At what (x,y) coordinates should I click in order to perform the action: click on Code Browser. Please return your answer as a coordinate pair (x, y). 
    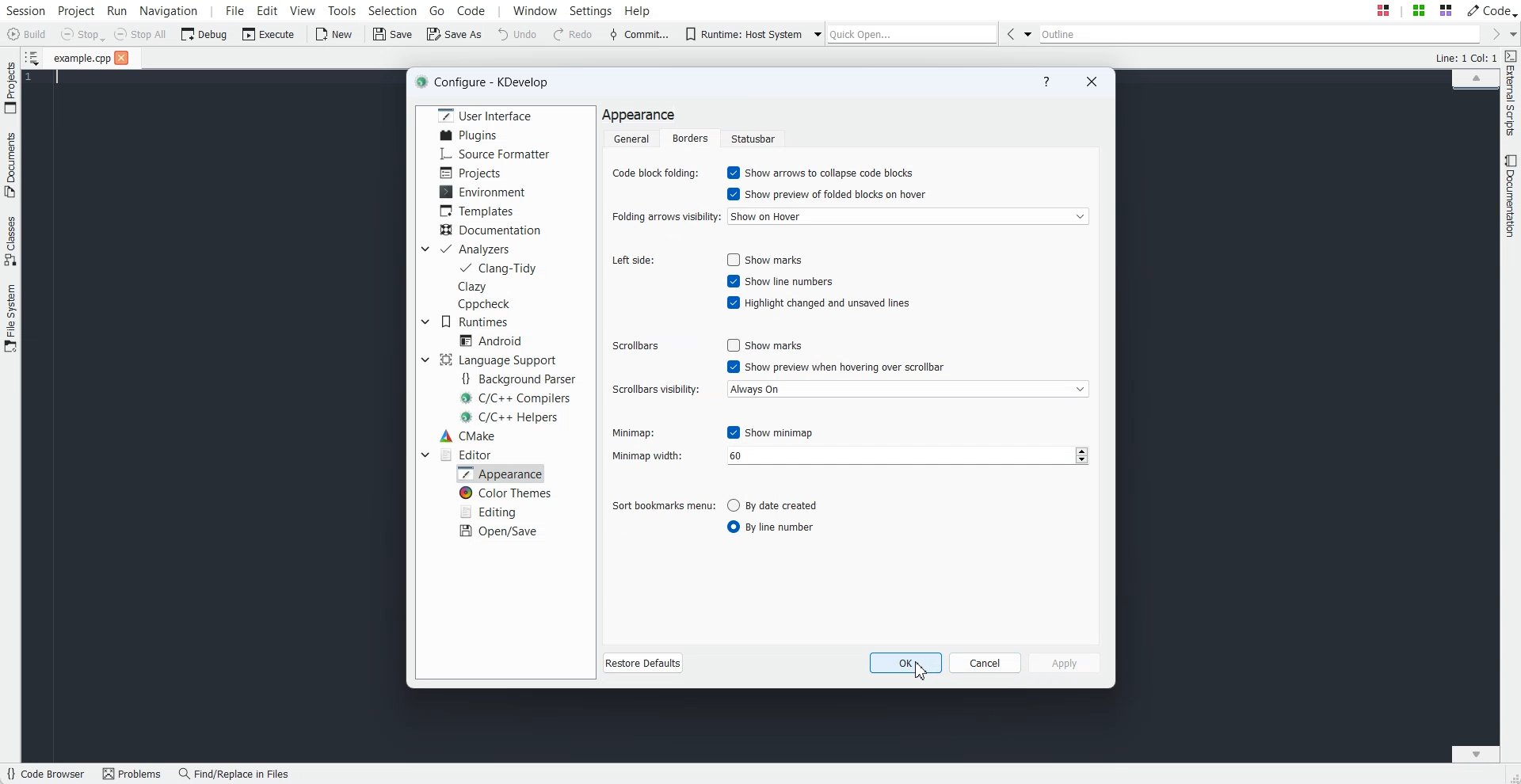
    Looking at the image, I should click on (48, 774).